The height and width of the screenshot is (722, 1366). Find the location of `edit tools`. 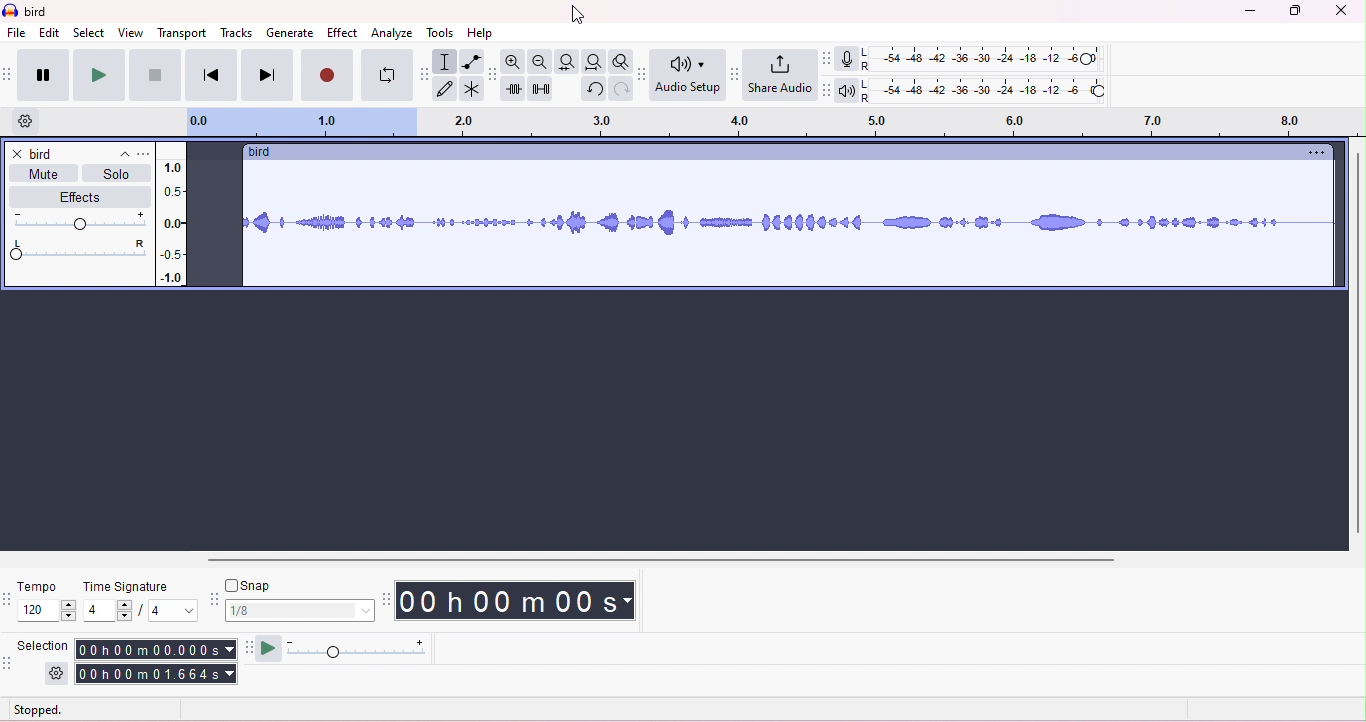

edit tools is located at coordinates (492, 73).